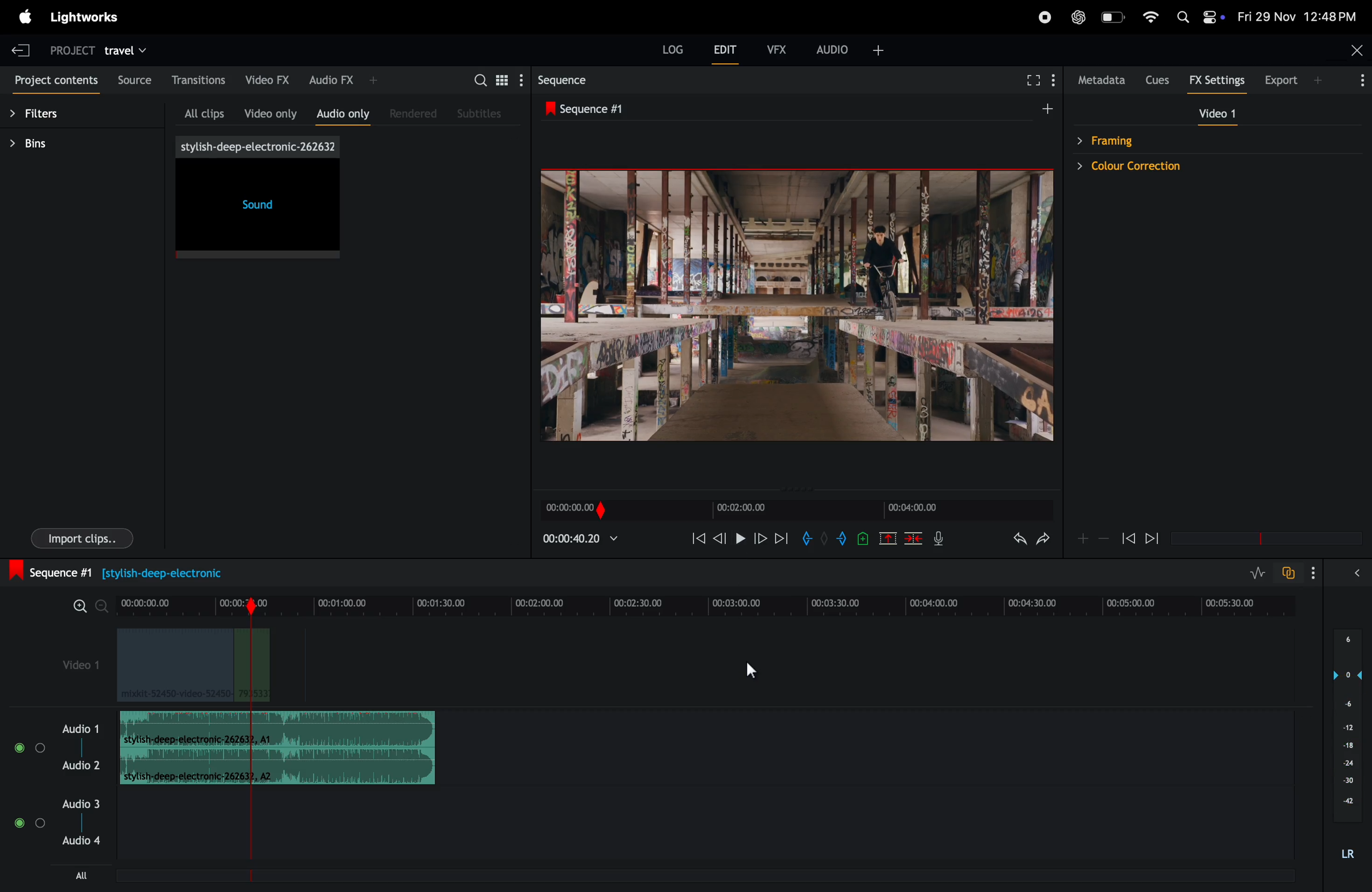 Image resolution: width=1372 pixels, height=892 pixels. Describe the element at coordinates (84, 605) in the screenshot. I see `zoom in zoom out` at that location.